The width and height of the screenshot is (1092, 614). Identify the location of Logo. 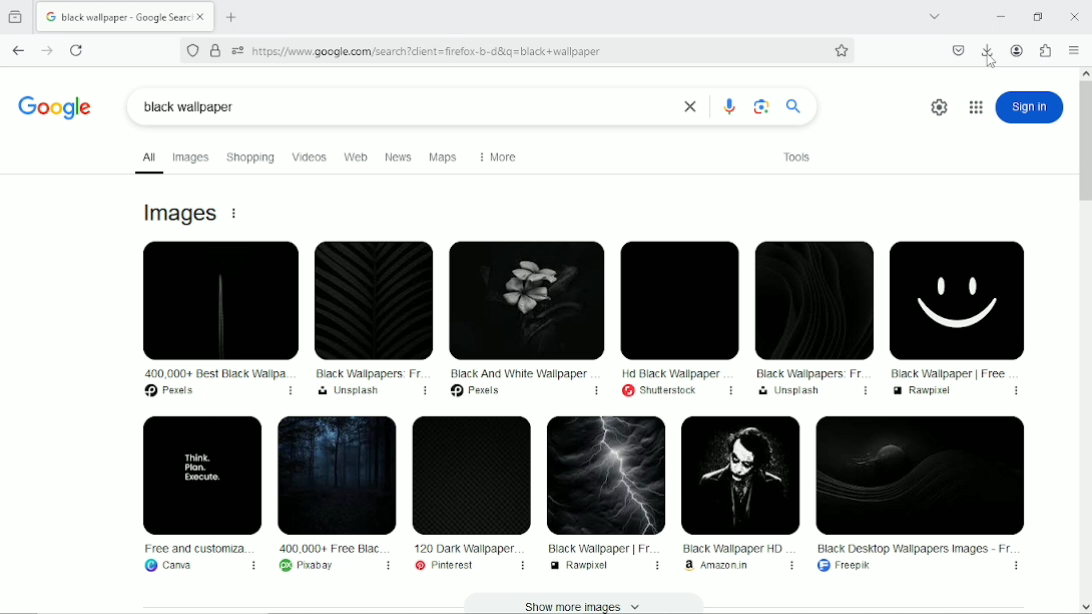
(57, 107).